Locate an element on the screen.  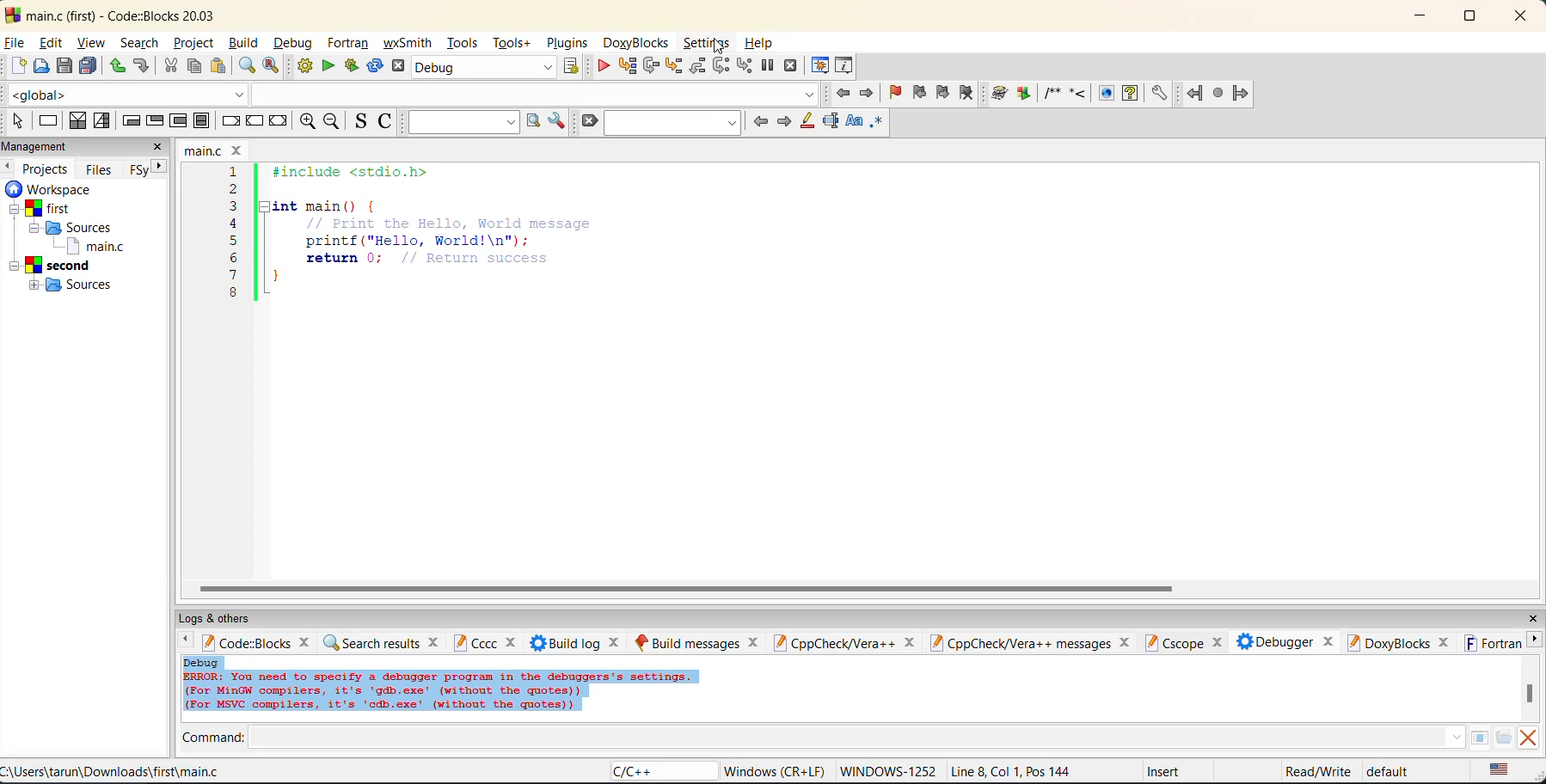
match case is located at coordinates (857, 123).